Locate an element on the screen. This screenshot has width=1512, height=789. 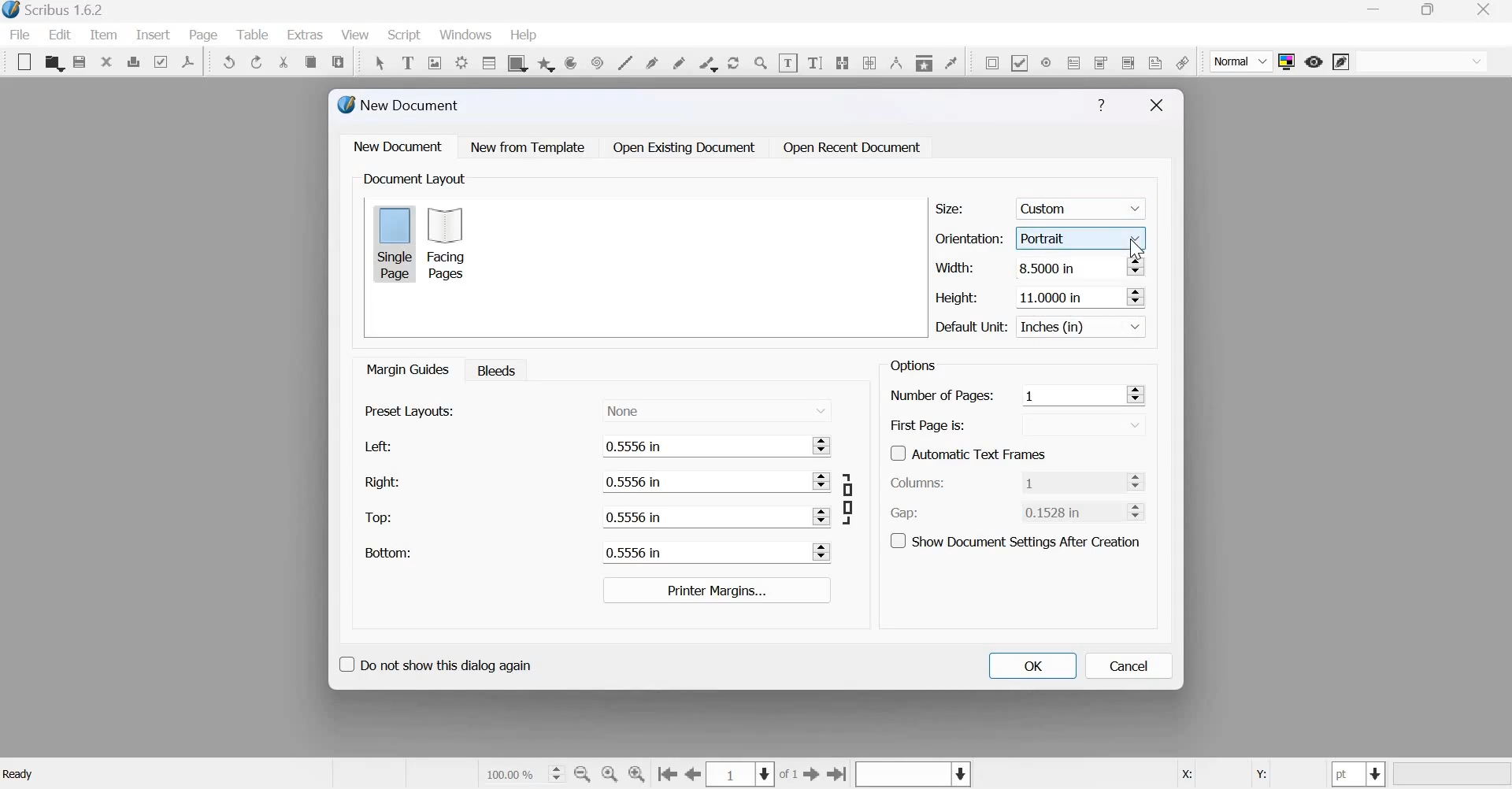
Present layouts:  is located at coordinates (410, 410).